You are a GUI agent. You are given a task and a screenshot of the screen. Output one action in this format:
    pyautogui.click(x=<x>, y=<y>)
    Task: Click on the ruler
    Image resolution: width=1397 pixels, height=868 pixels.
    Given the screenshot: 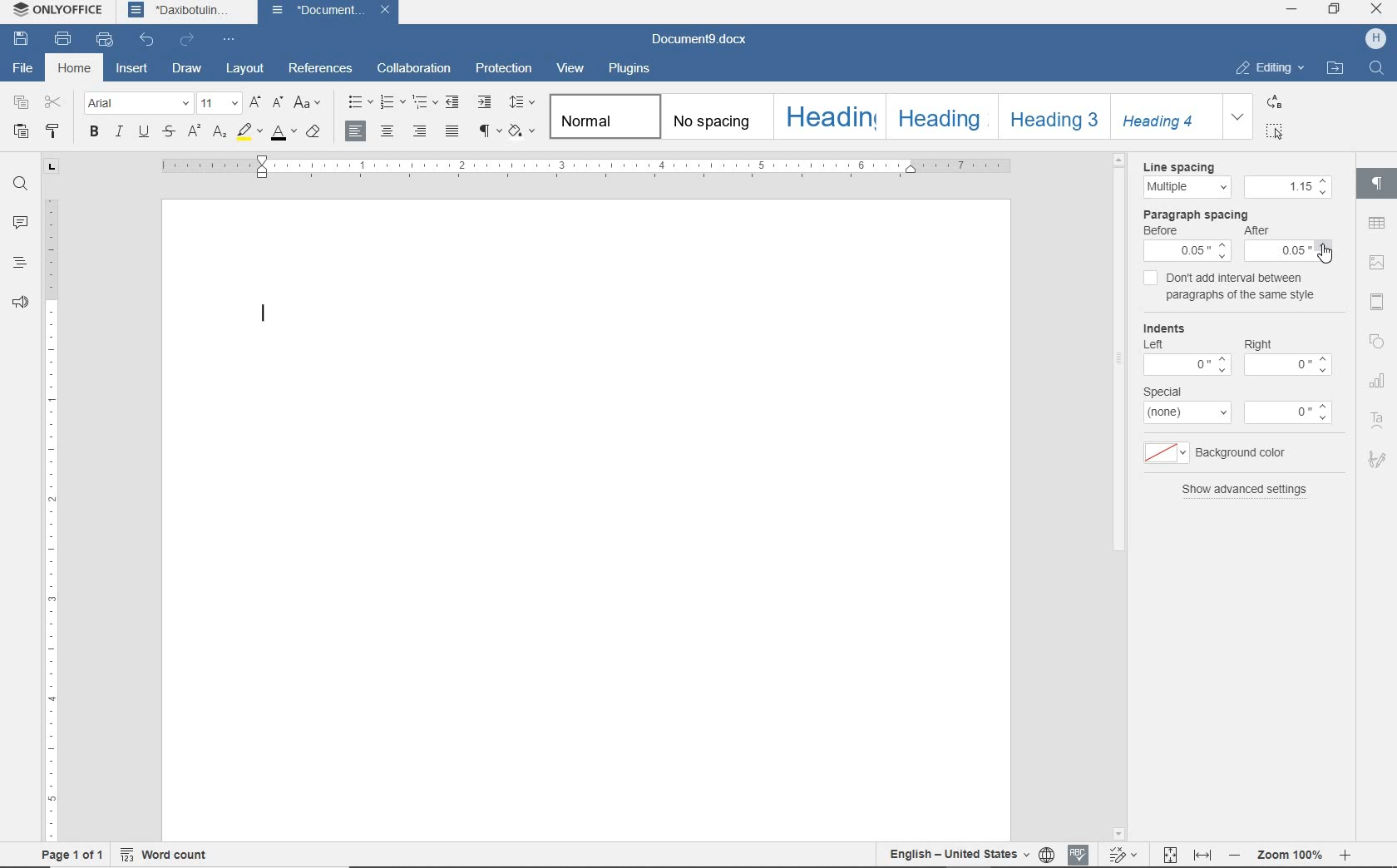 What is the action you would take?
    pyautogui.click(x=49, y=519)
    